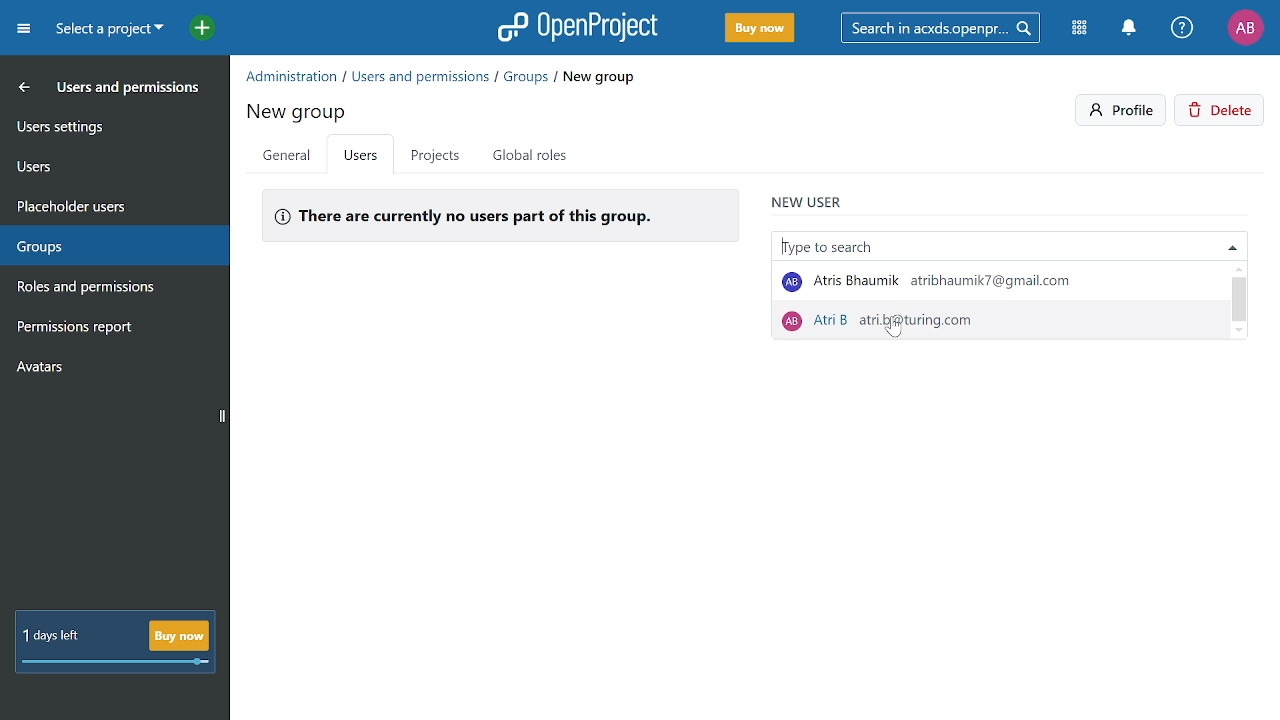 This screenshot has width=1280, height=720. What do you see at coordinates (442, 75) in the screenshot?
I see `Path` at bounding box center [442, 75].